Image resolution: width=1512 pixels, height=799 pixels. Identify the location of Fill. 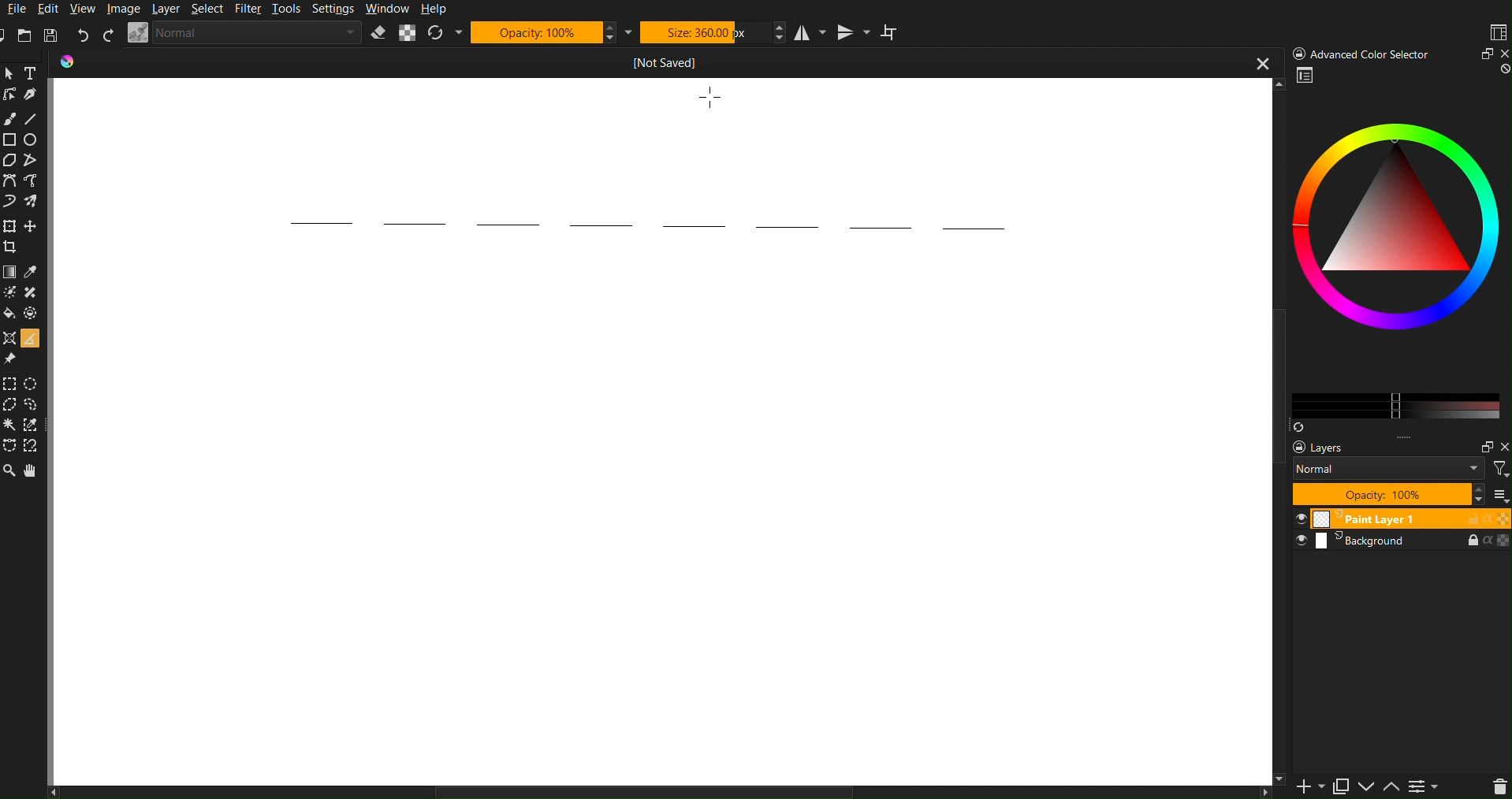
(11, 313).